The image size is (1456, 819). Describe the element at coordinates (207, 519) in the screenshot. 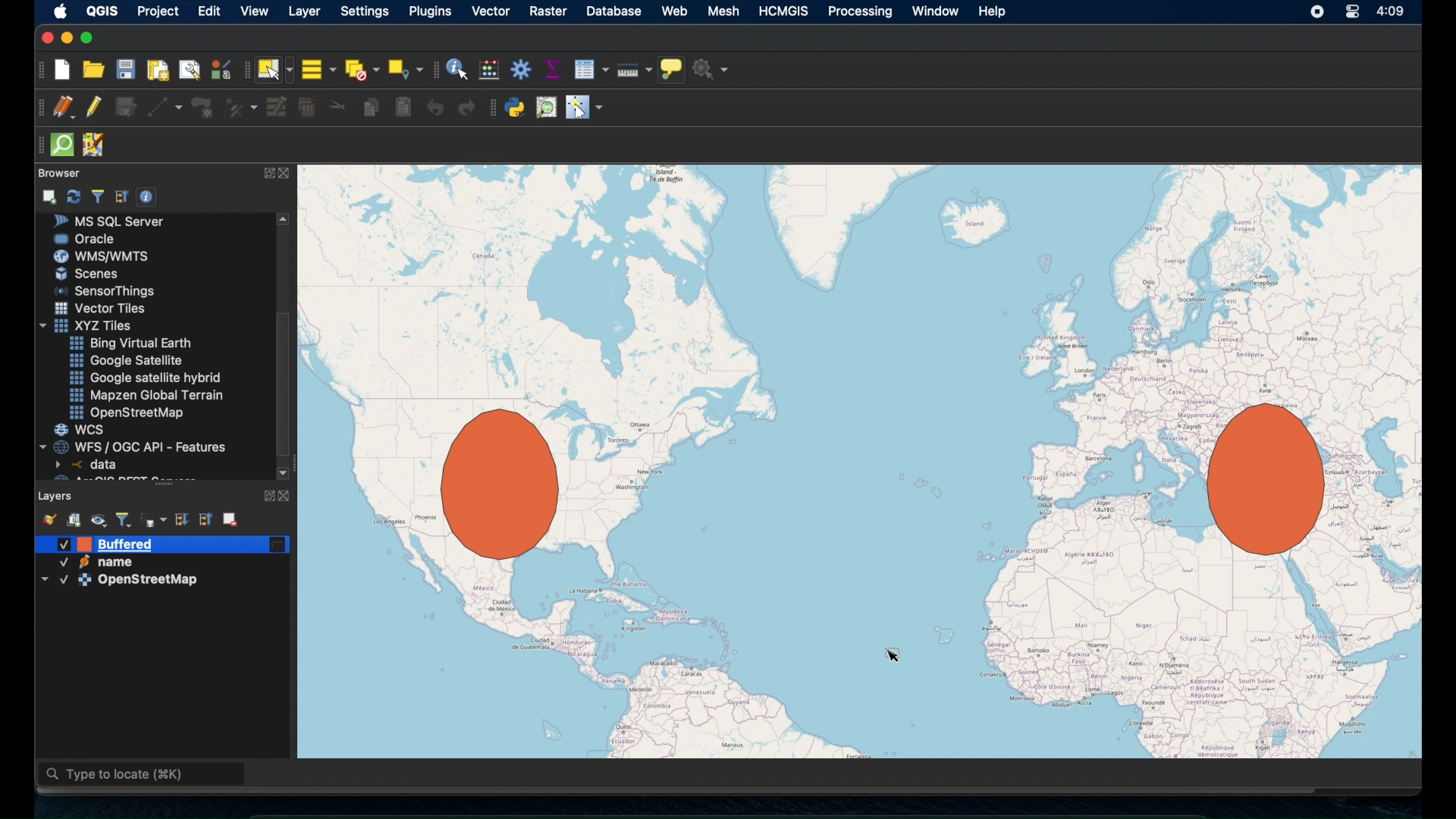

I see `collapse all` at that location.